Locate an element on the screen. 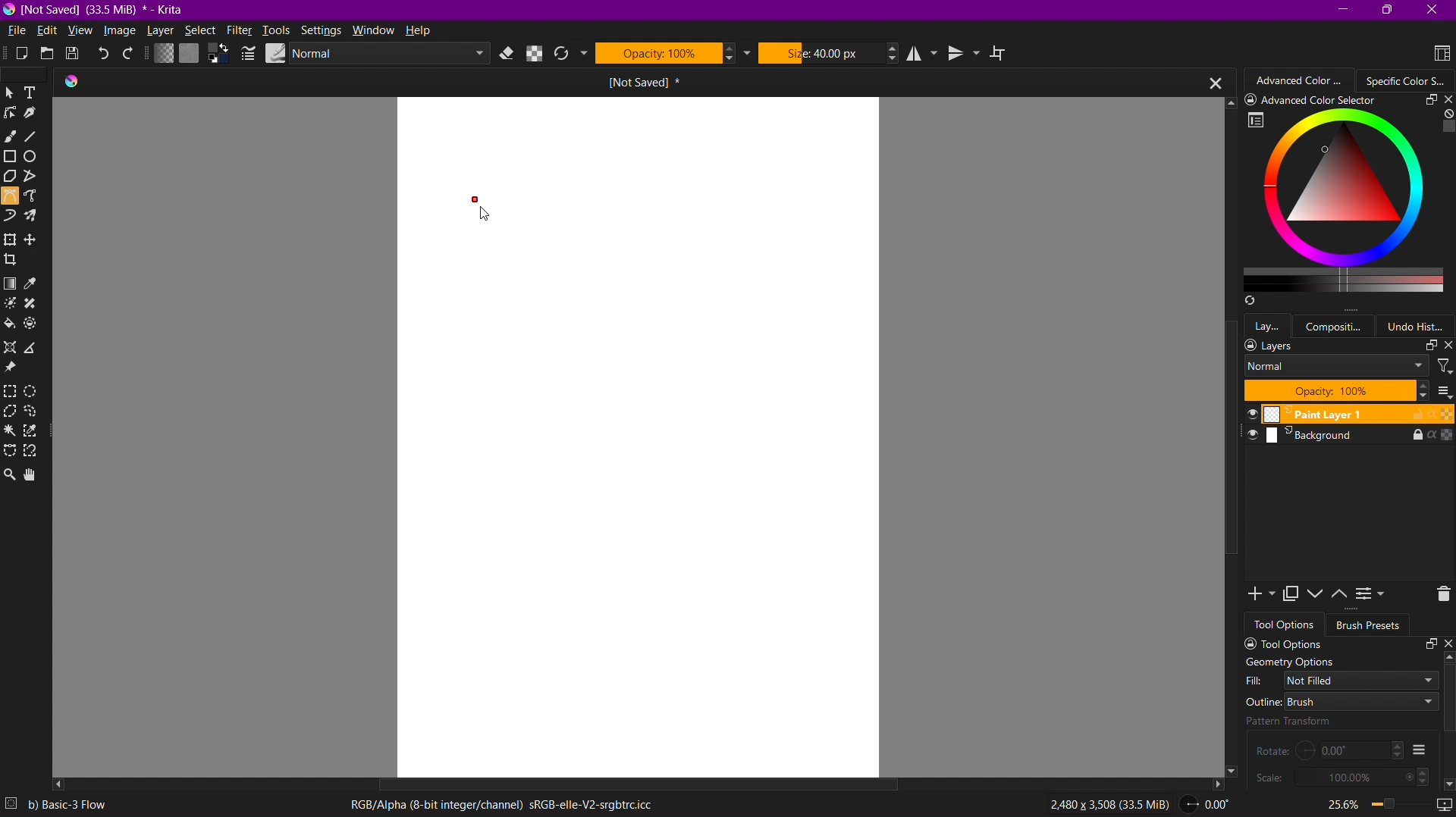  down is located at coordinates (1447, 781).